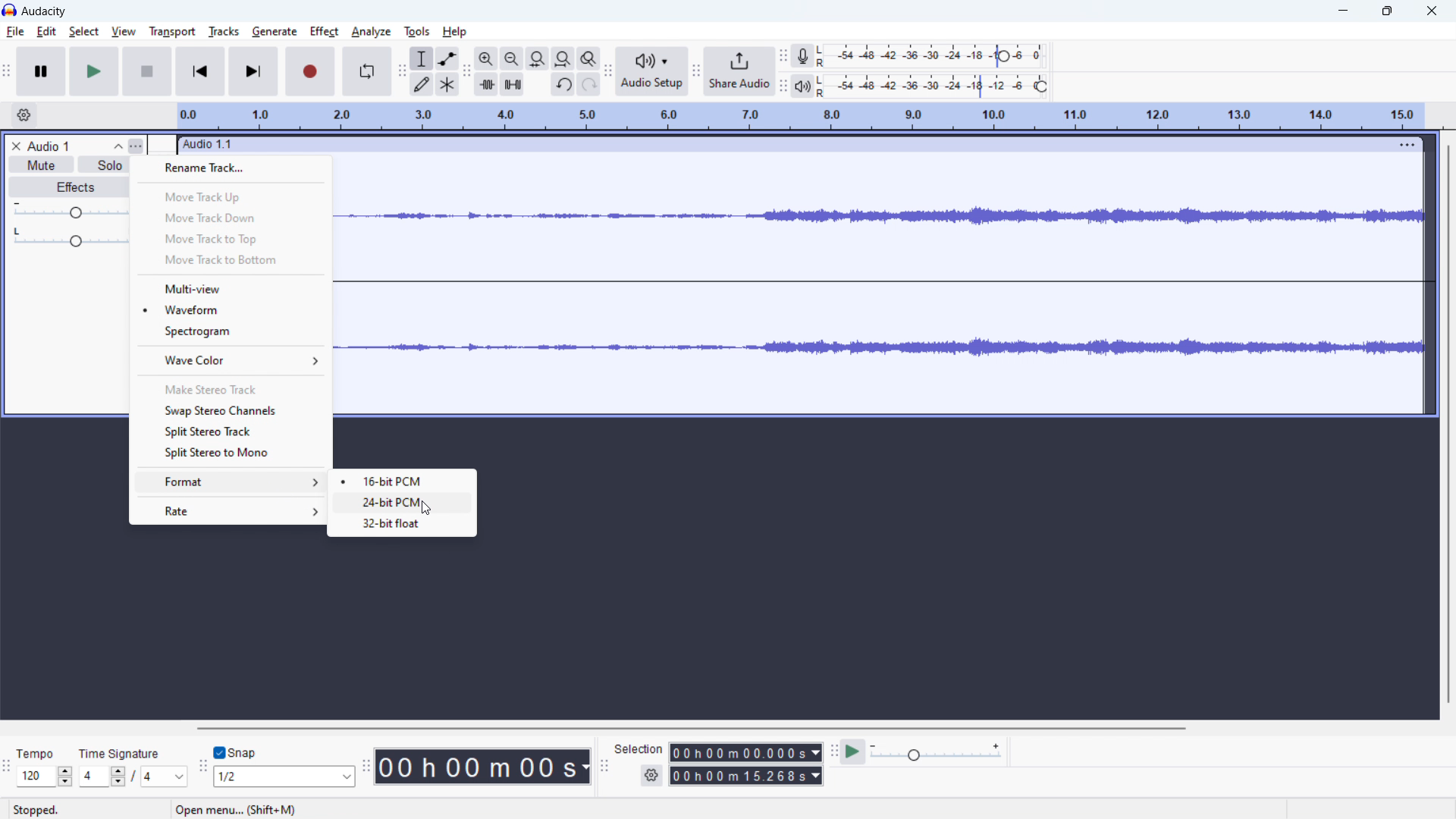 The width and height of the screenshot is (1456, 819). Describe the element at coordinates (133, 777) in the screenshot. I see `set time signature` at that location.